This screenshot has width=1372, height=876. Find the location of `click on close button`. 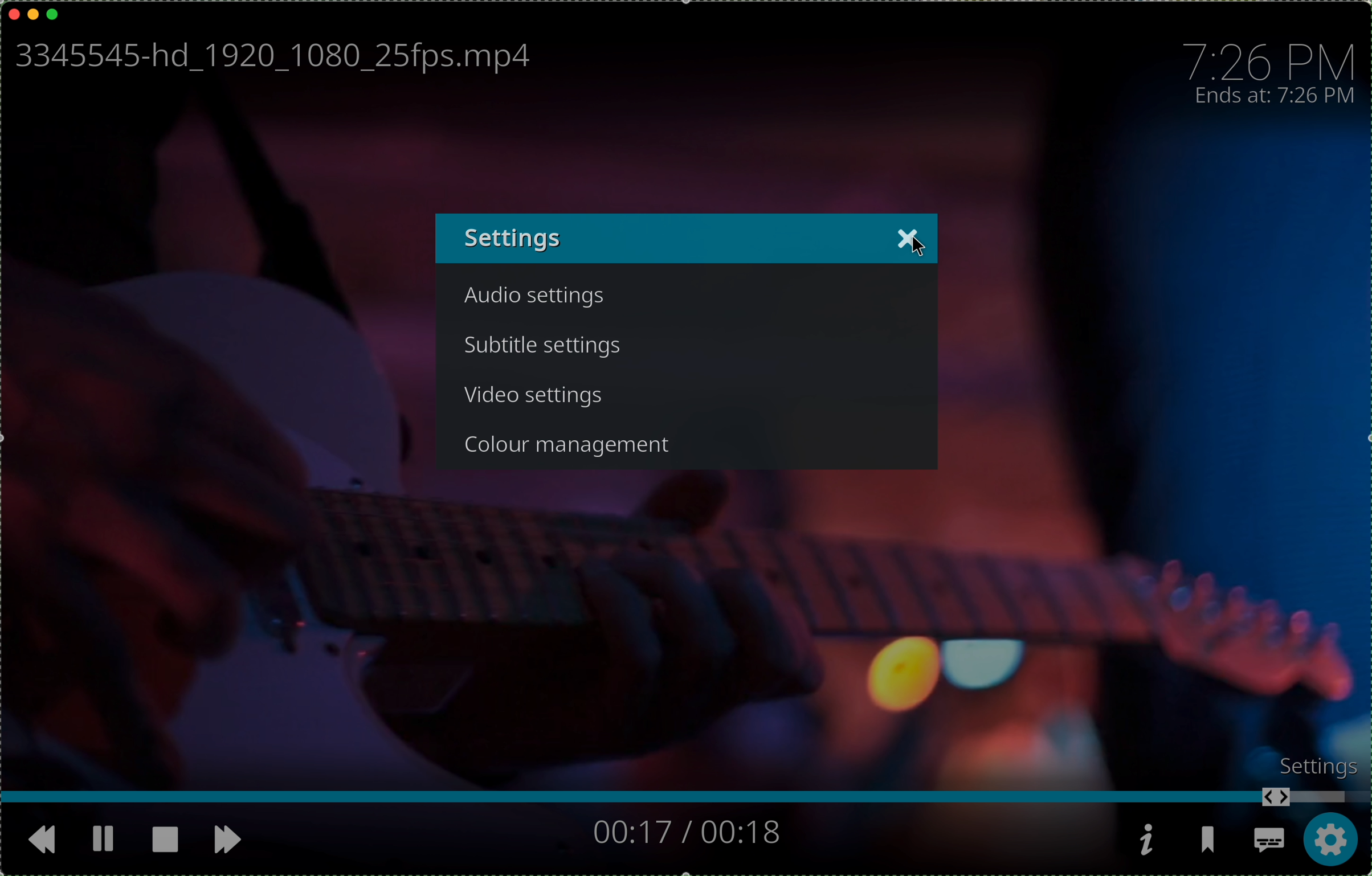

click on close button is located at coordinates (917, 241).